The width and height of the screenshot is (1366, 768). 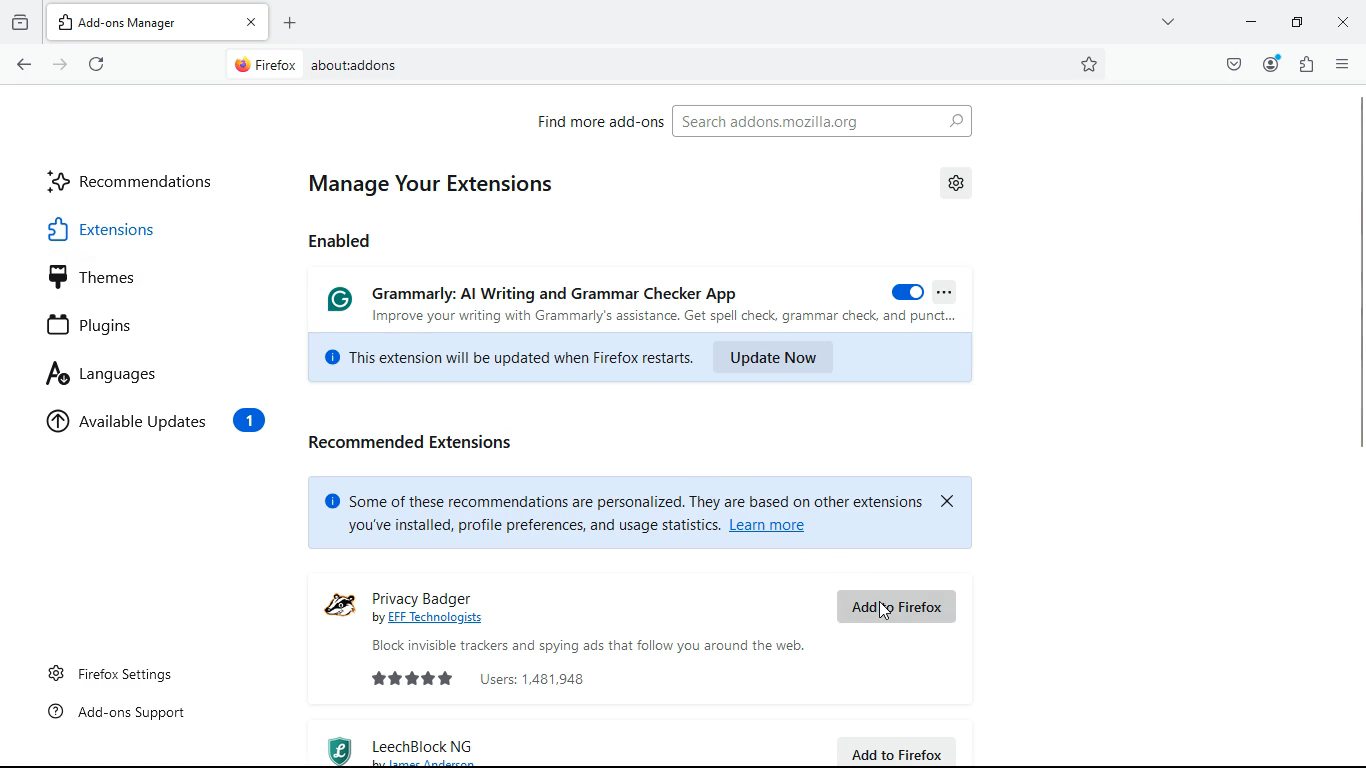 I want to click on extensions, so click(x=150, y=229).